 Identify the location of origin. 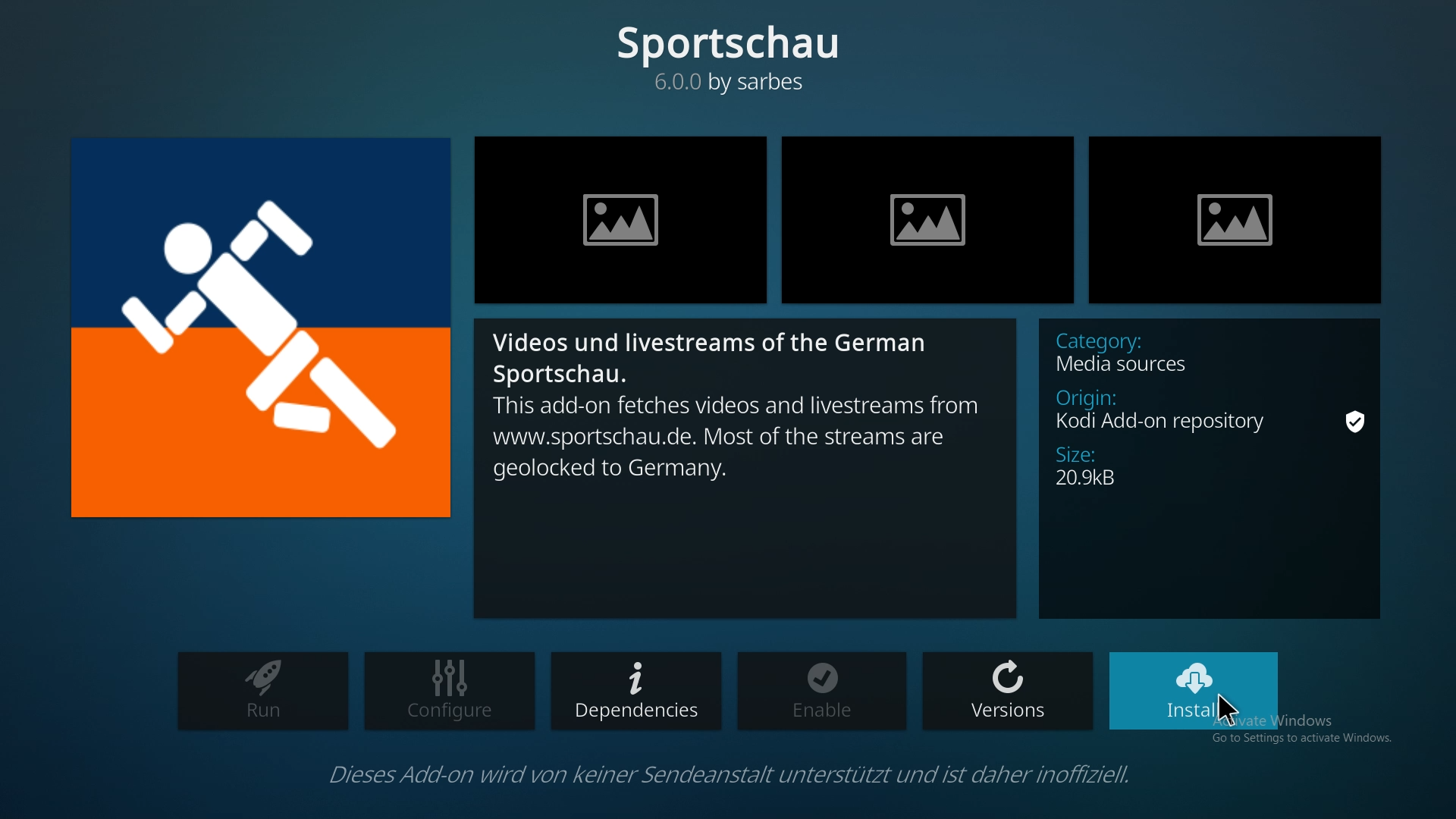
(1213, 413).